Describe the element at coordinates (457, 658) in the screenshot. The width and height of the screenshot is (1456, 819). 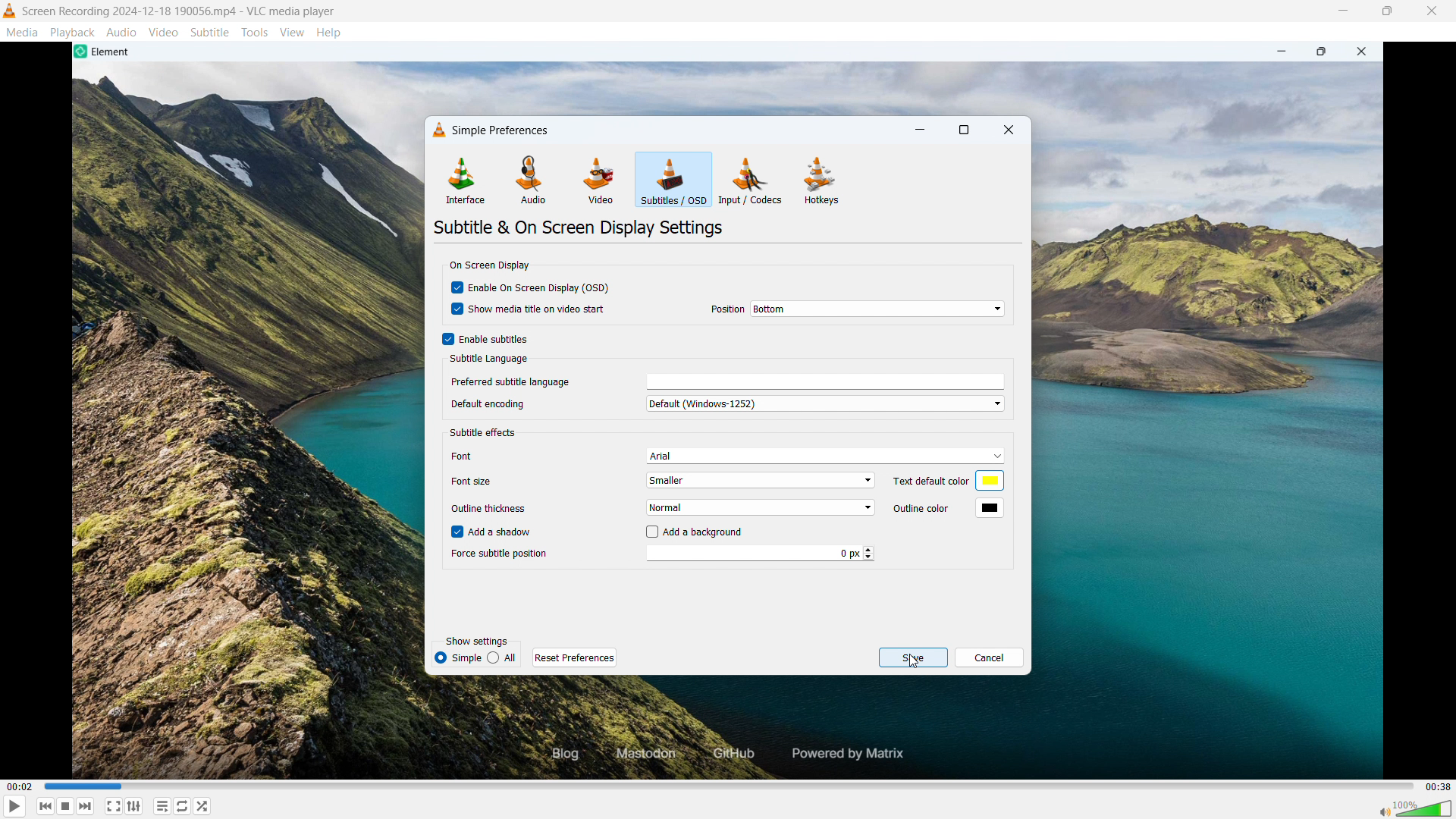
I see `simple ` at that location.